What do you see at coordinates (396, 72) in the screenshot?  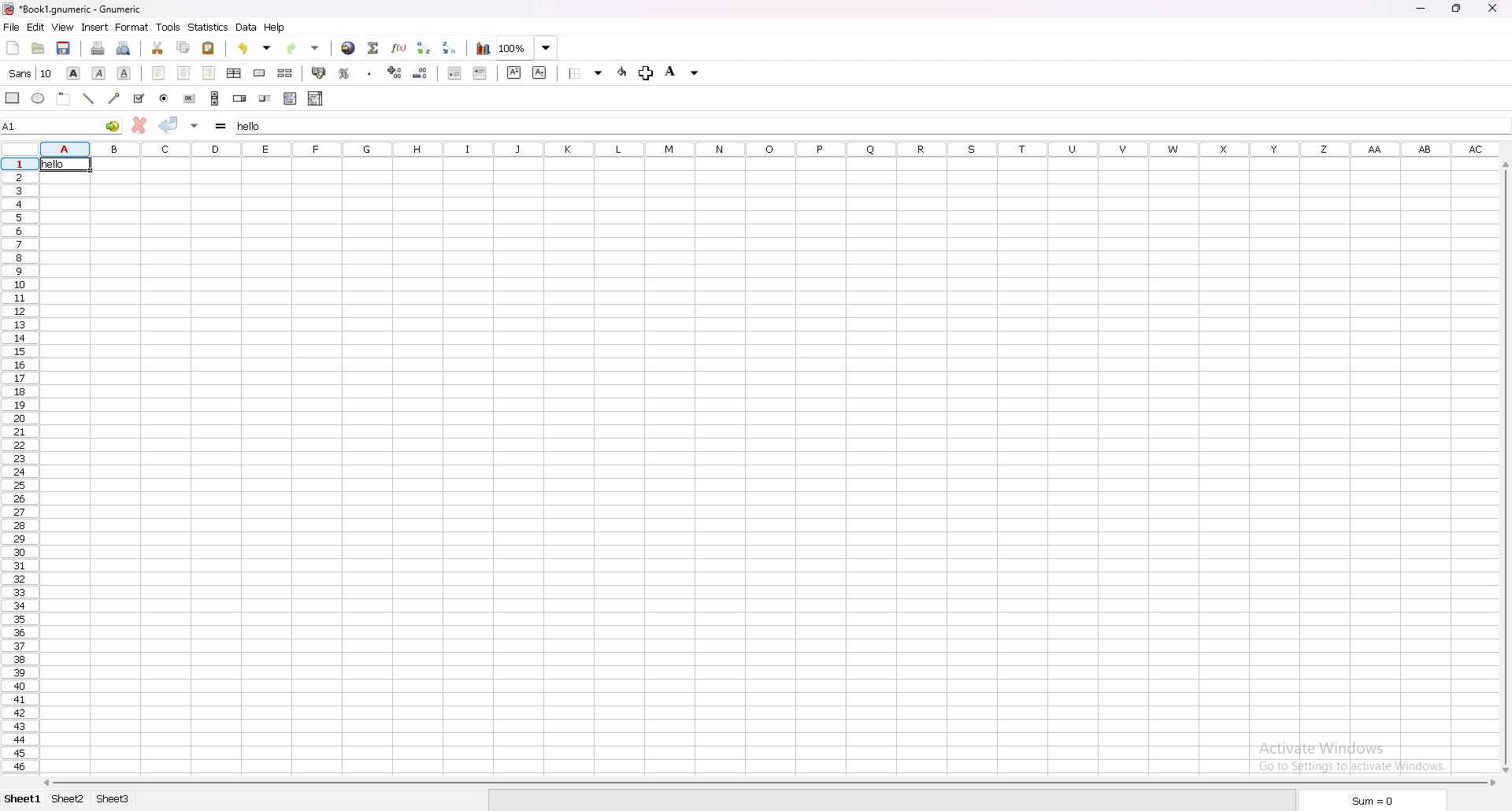 I see `increase decimals` at bounding box center [396, 72].